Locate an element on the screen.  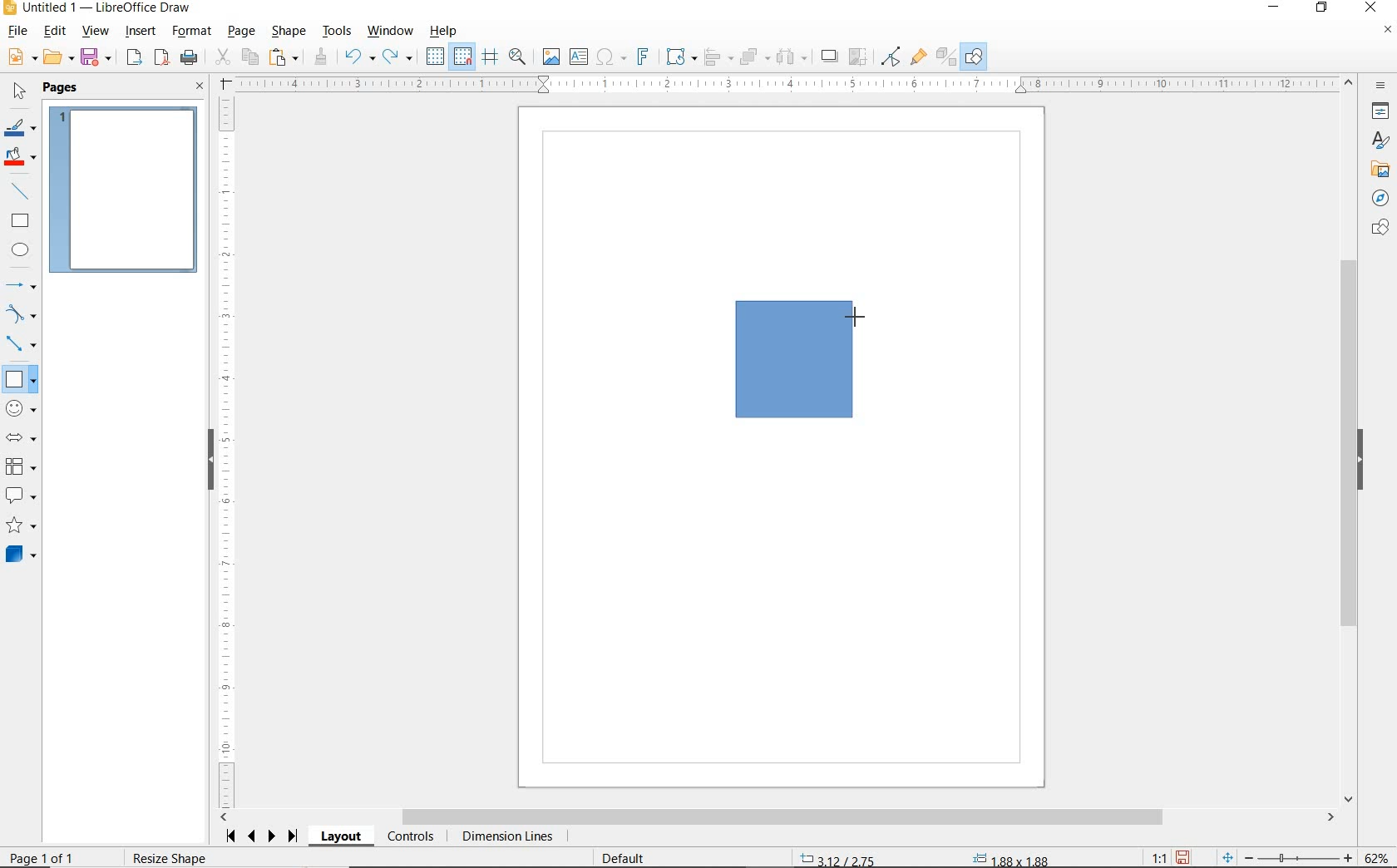
PRINT is located at coordinates (190, 60).